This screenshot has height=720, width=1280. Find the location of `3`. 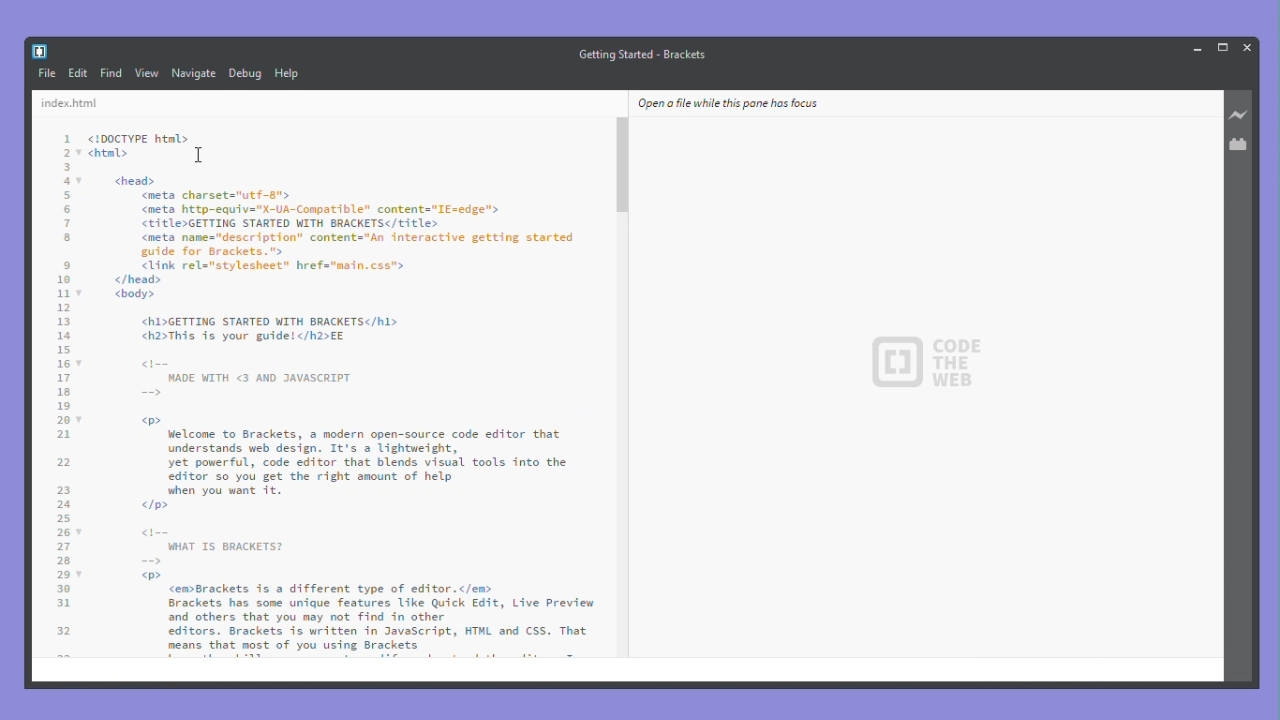

3 is located at coordinates (65, 168).